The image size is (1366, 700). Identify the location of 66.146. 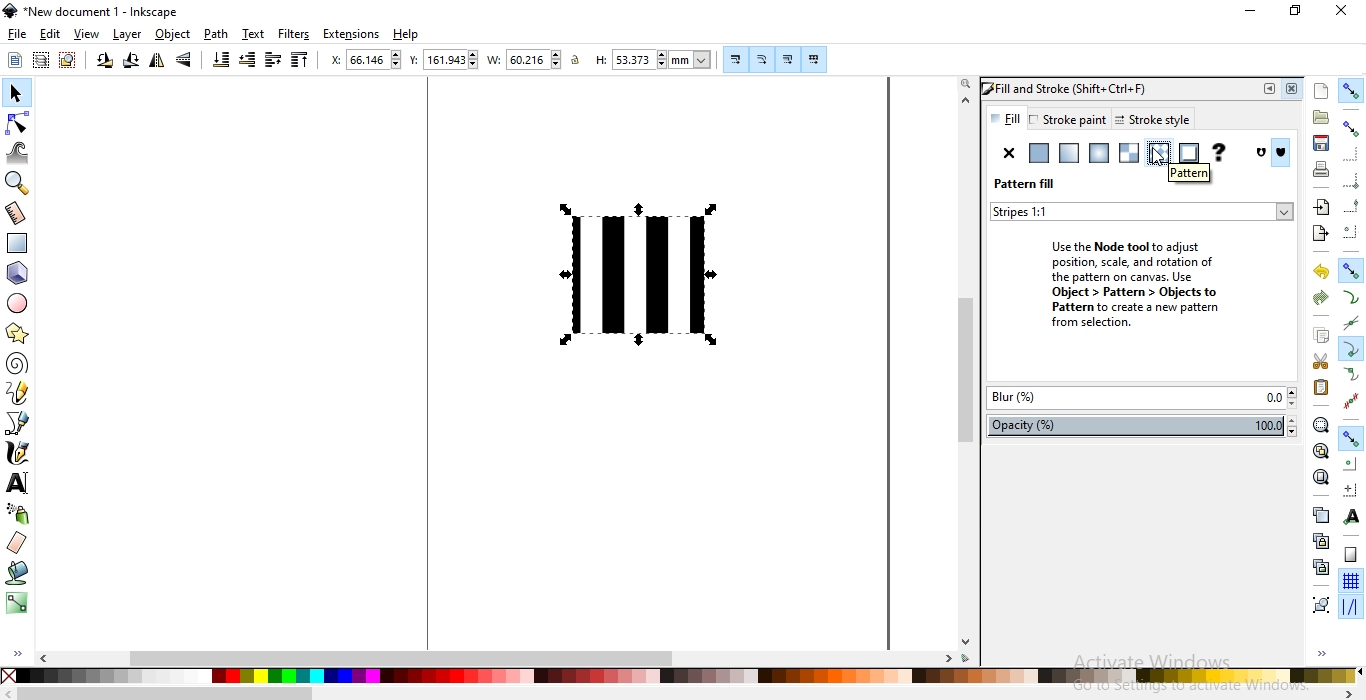
(375, 59).